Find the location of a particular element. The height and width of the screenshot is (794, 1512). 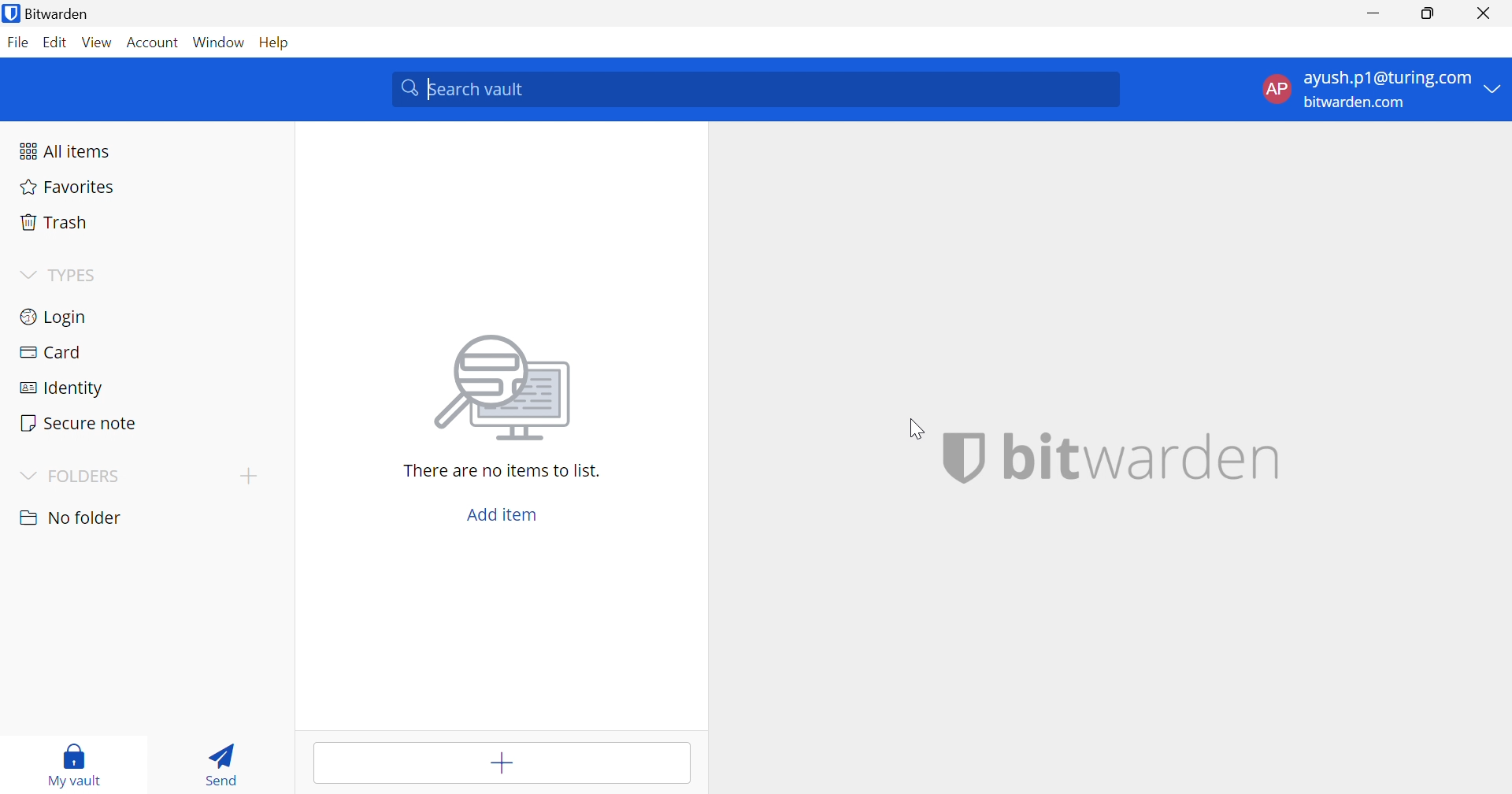

Secure note is located at coordinates (80, 423).